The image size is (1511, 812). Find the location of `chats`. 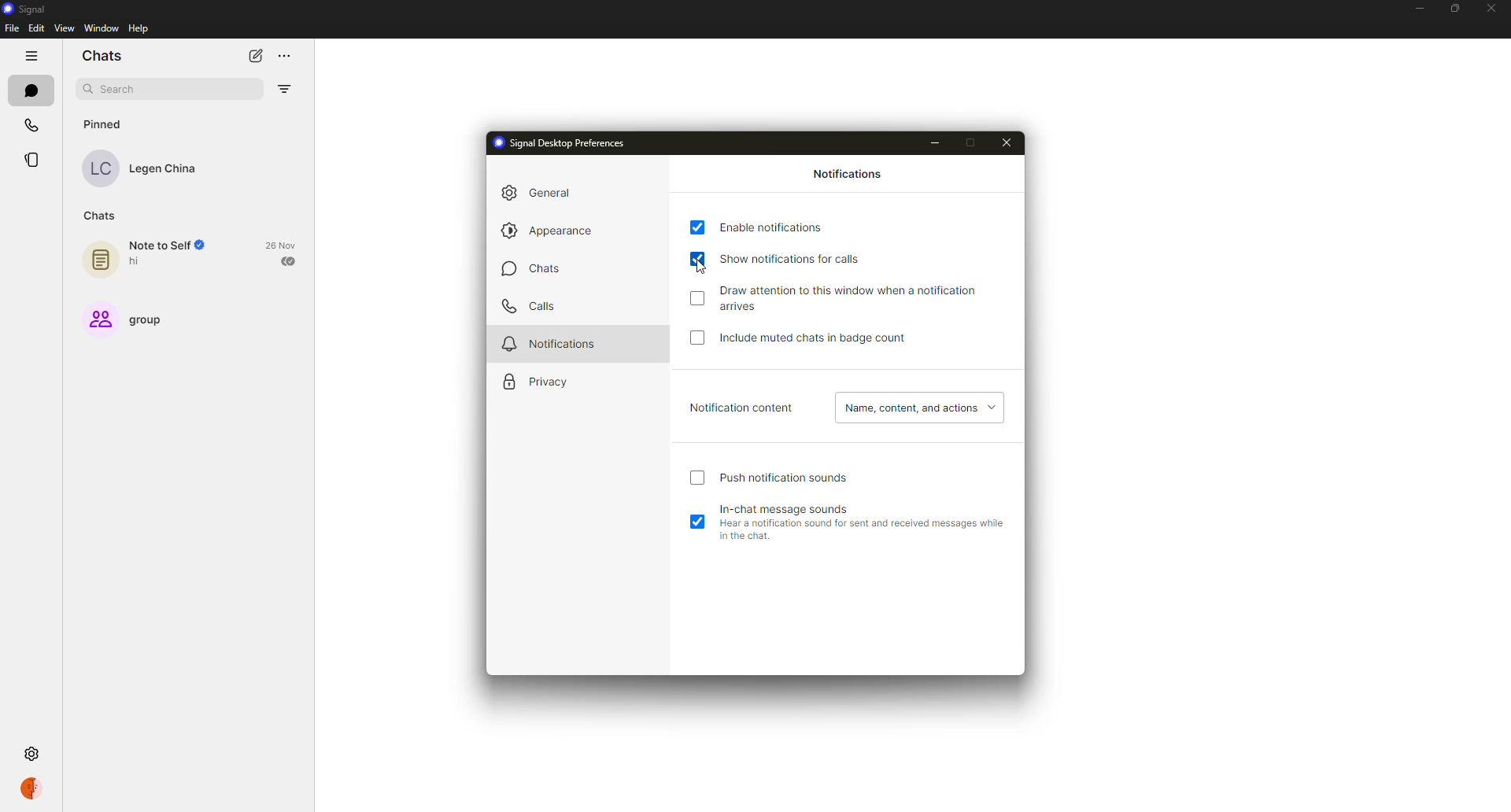

chats is located at coordinates (31, 90).